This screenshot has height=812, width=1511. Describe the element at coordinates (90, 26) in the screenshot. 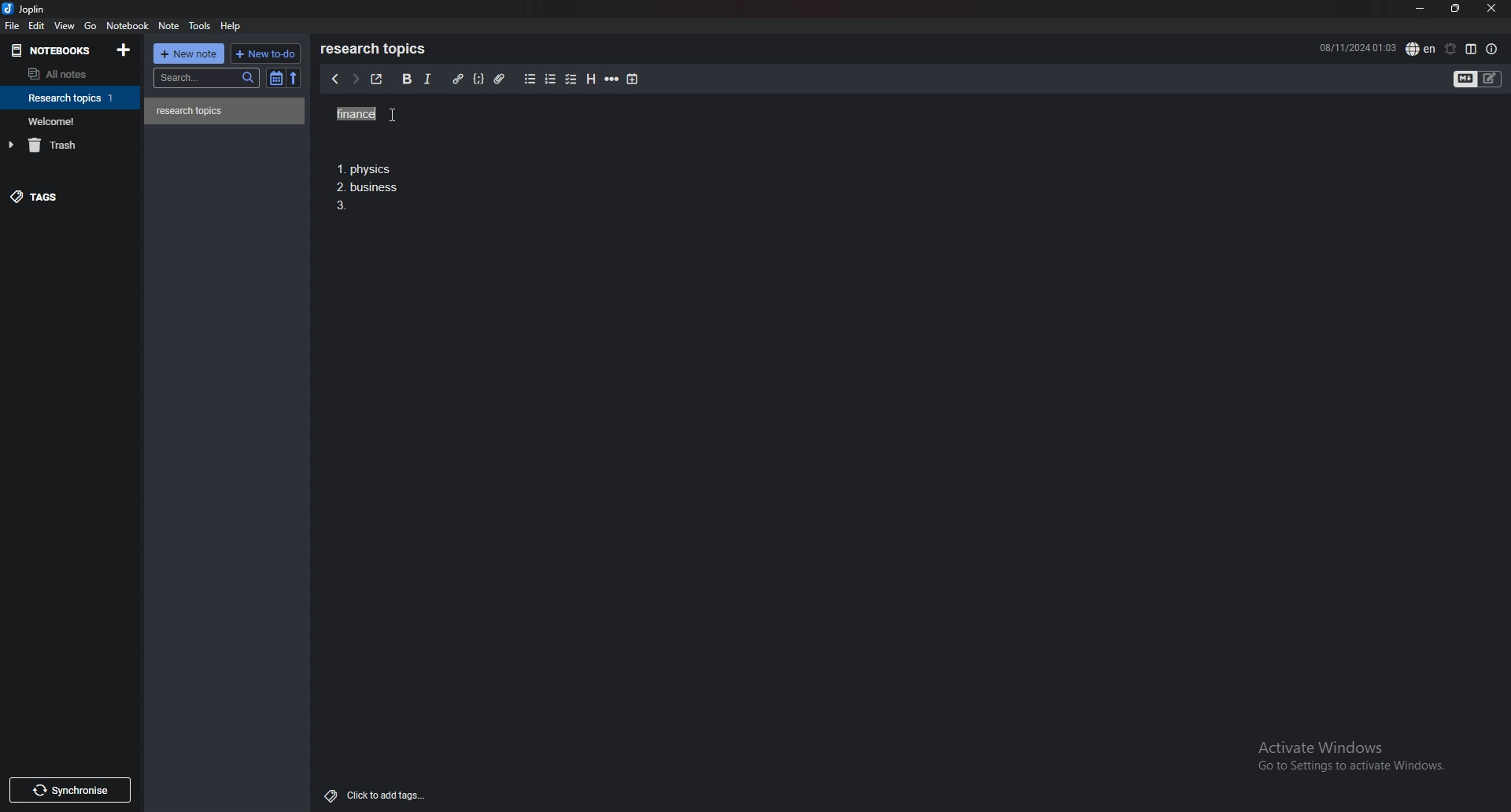

I see `go` at that location.